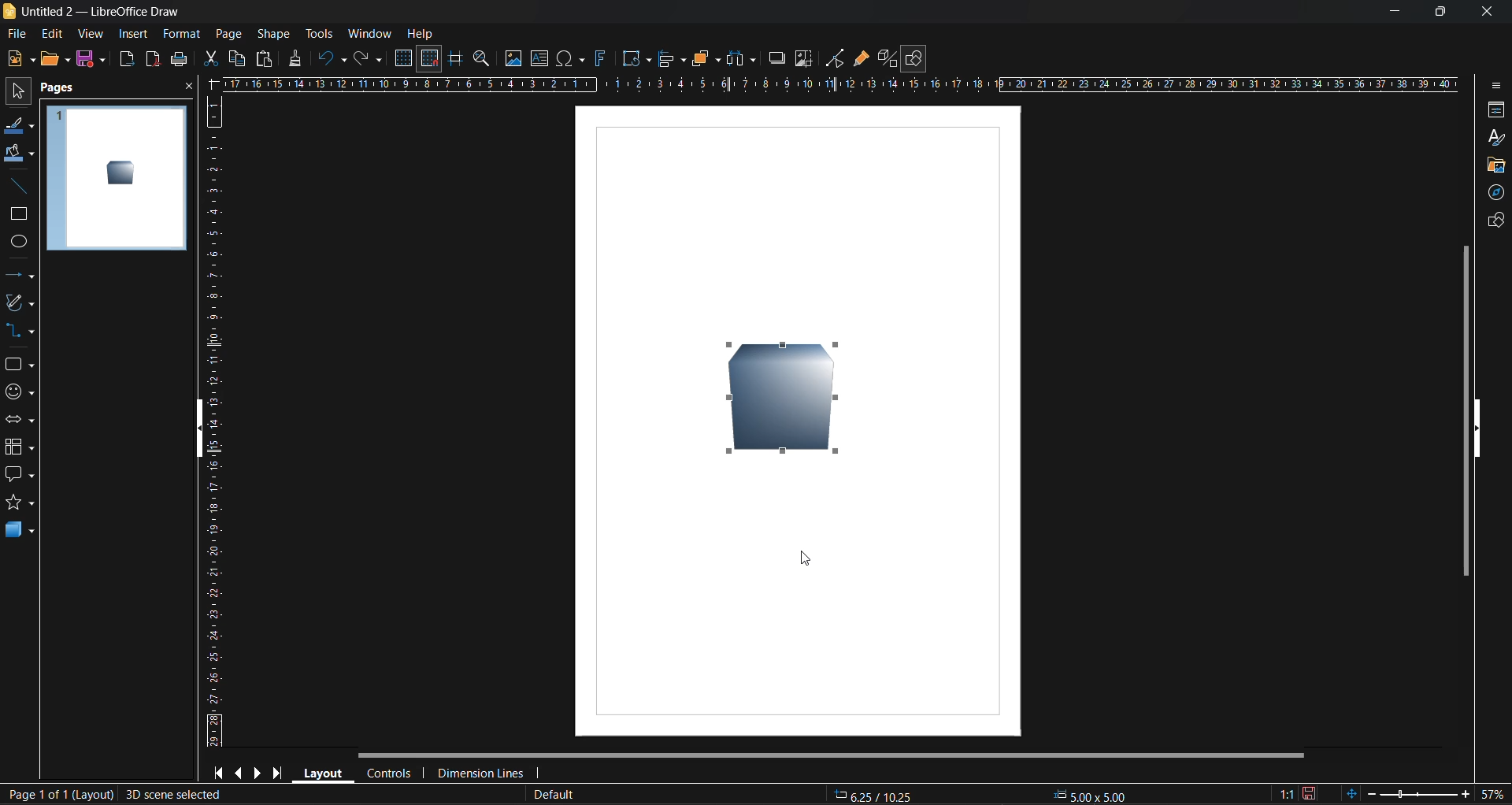 This screenshot has width=1512, height=805. What do you see at coordinates (277, 33) in the screenshot?
I see `shape` at bounding box center [277, 33].